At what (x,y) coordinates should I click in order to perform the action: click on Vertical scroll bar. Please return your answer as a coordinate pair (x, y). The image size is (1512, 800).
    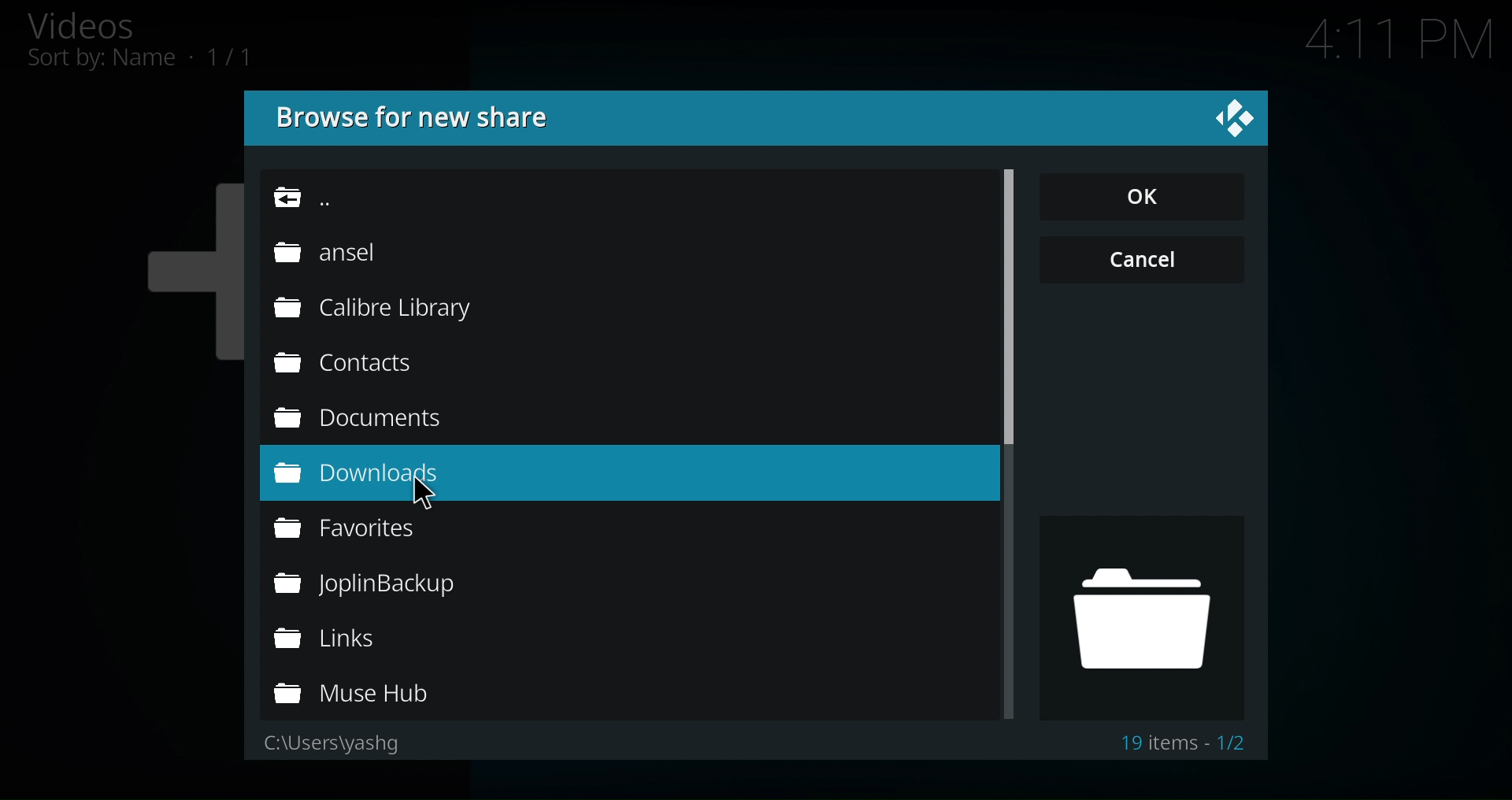
    Looking at the image, I should click on (1014, 316).